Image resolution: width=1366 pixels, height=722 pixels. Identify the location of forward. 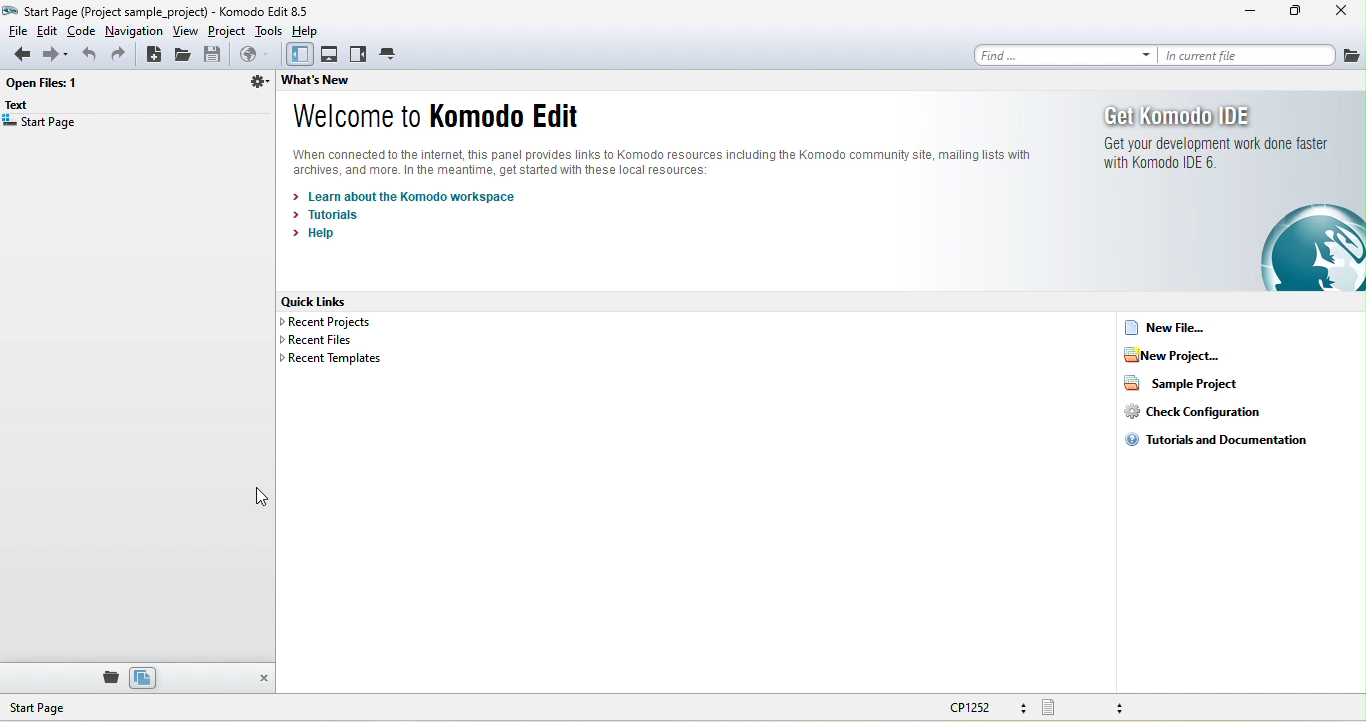
(54, 56).